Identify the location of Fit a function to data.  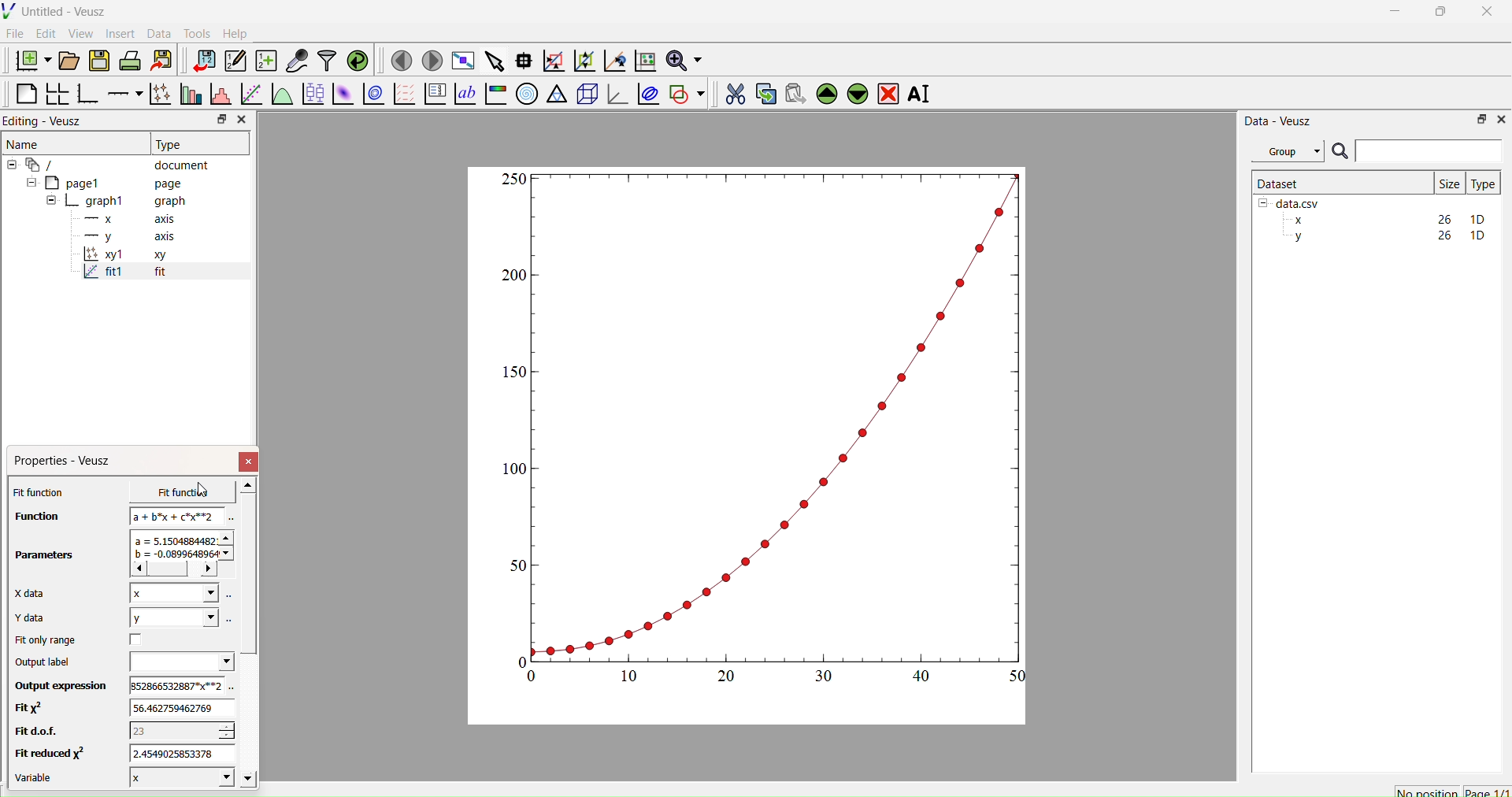
(250, 95).